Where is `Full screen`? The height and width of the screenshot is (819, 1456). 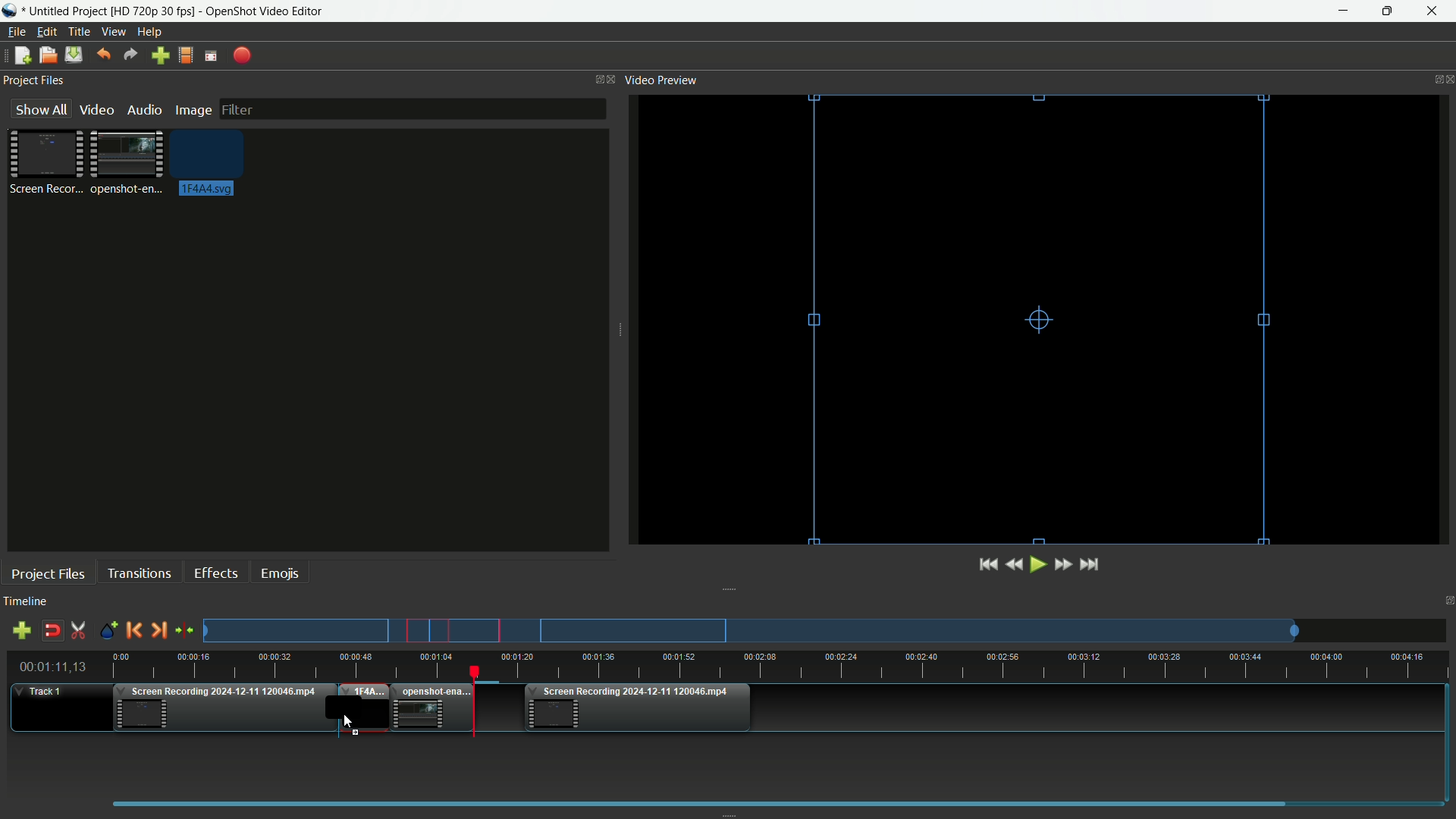 Full screen is located at coordinates (211, 56).